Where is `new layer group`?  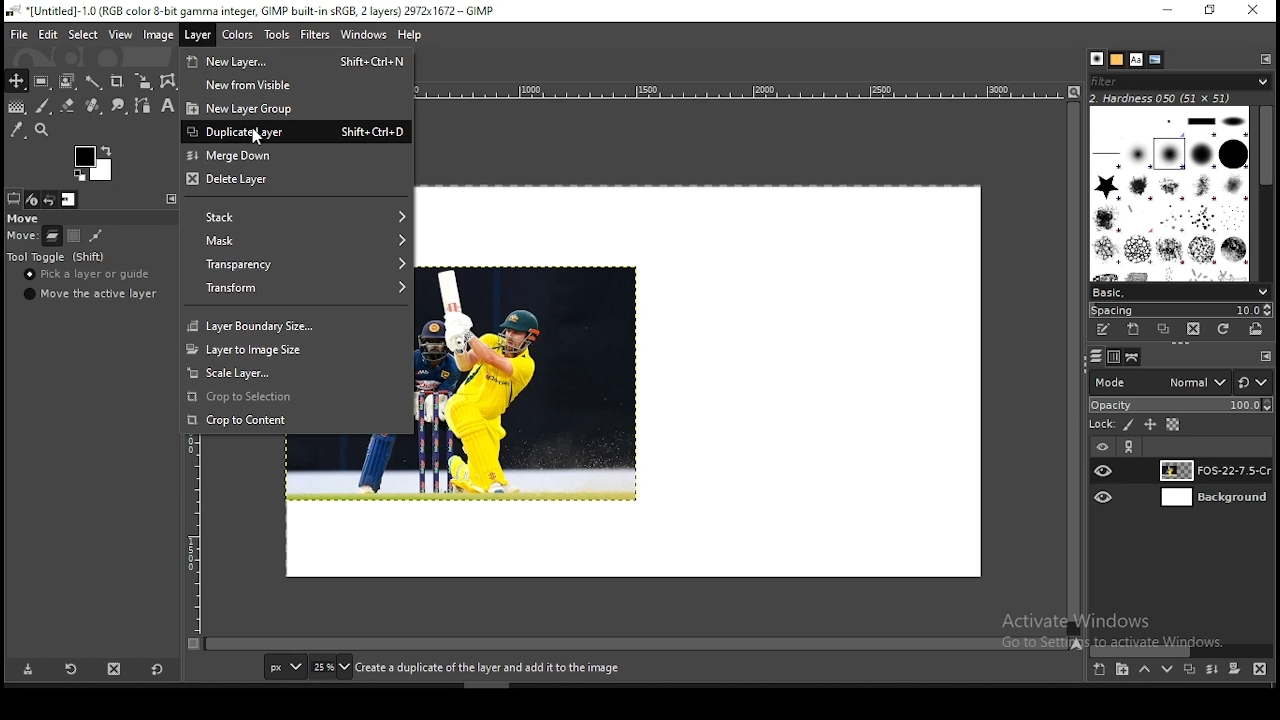
new layer group is located at coordinates (1122, 671).